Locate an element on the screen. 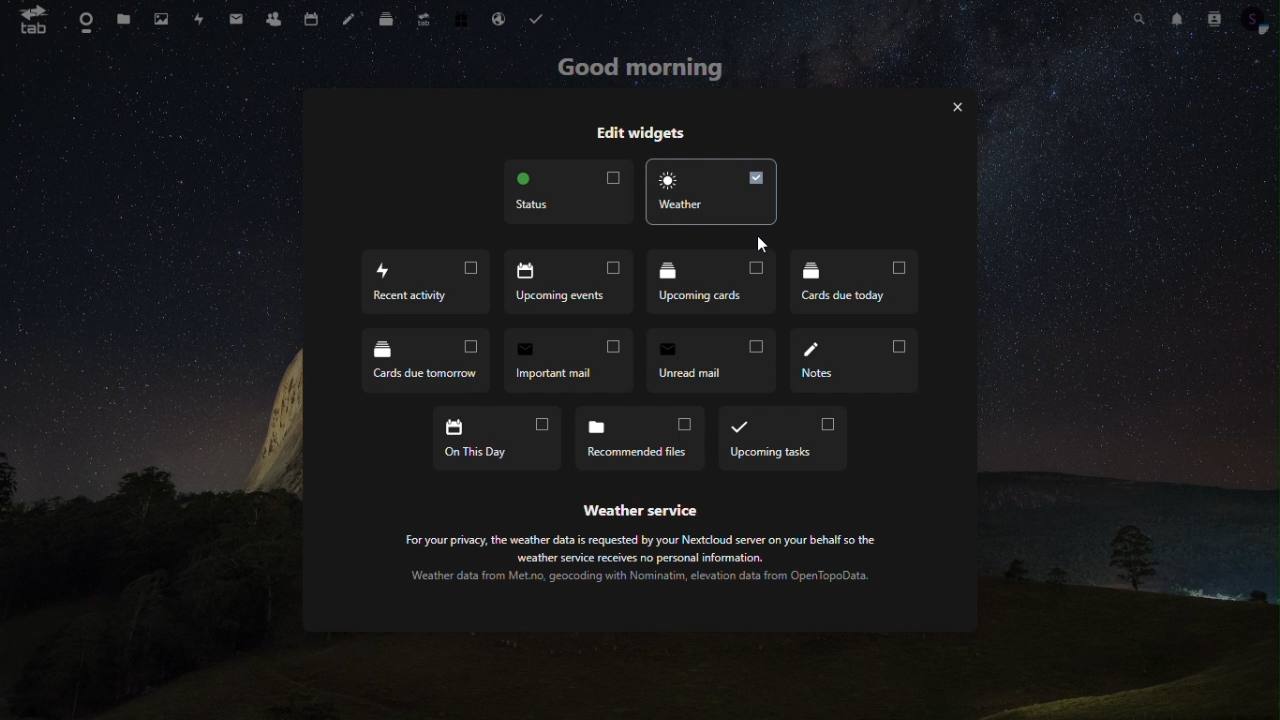  search is located at coordinates (1136, 19).